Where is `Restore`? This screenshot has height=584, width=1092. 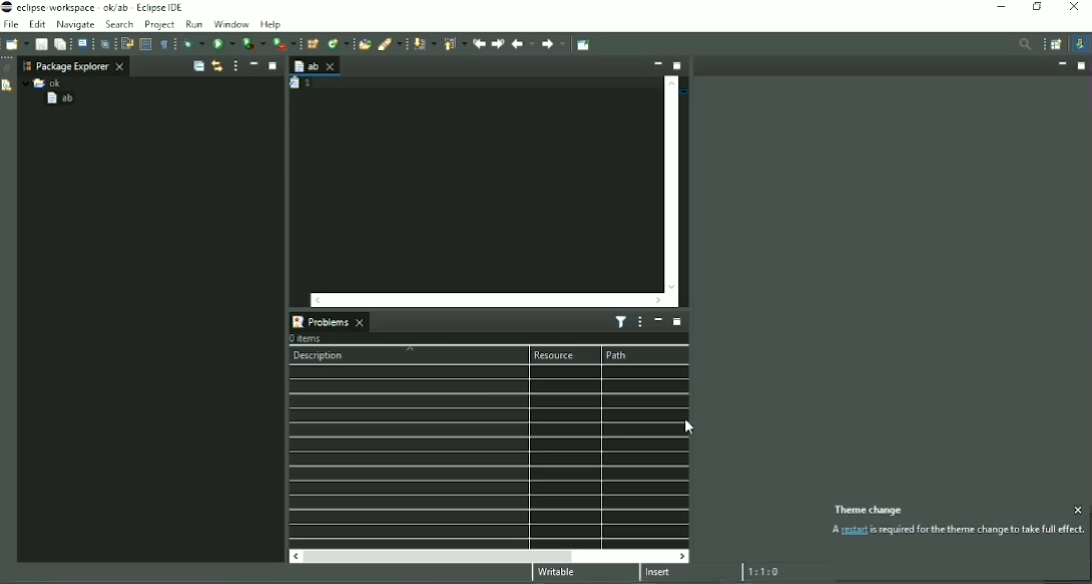
Restore is located at coordinates (8, 67).